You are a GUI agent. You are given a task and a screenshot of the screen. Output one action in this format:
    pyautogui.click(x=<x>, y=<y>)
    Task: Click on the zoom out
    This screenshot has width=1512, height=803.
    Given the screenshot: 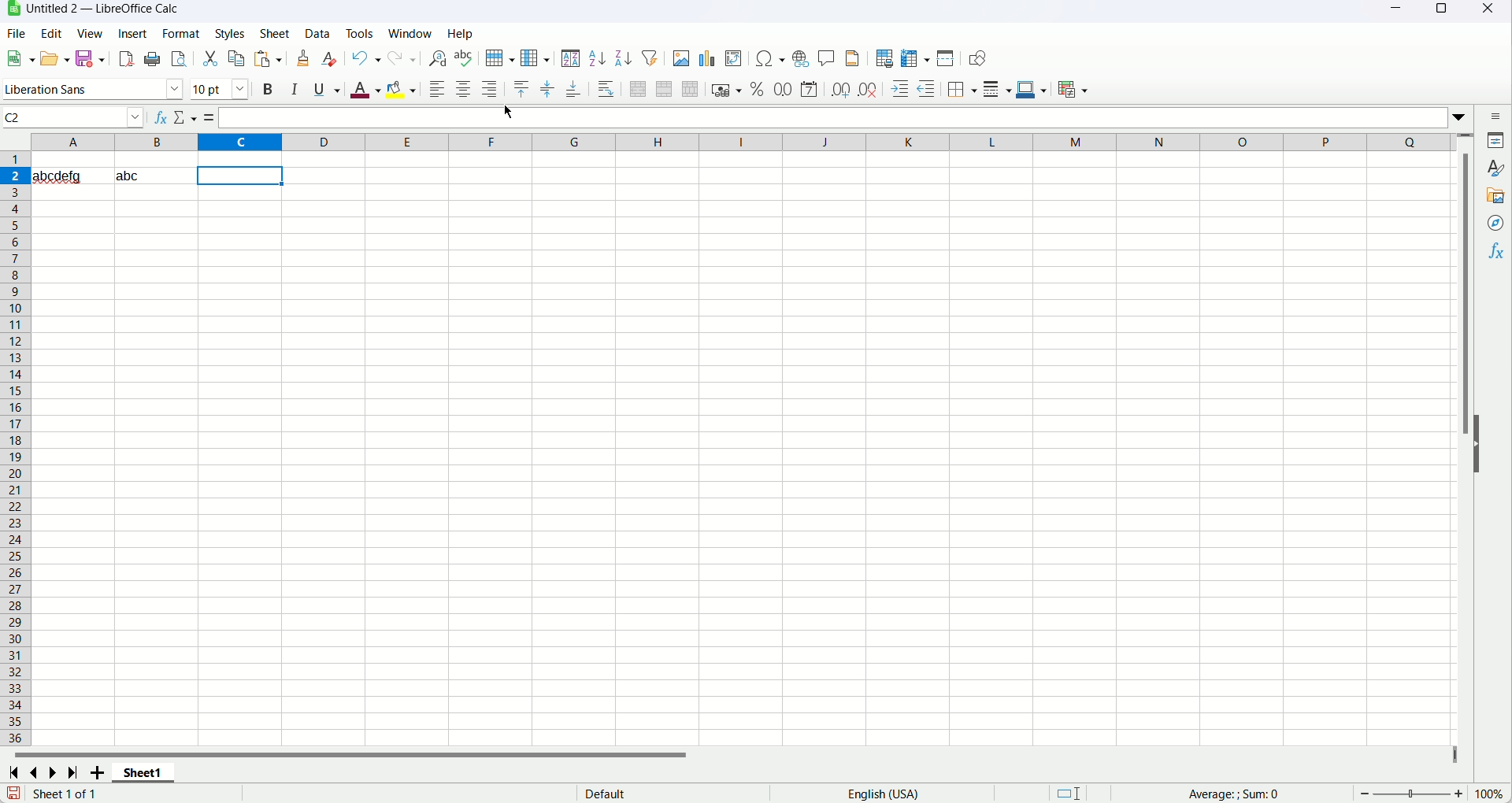 What is the action you would take?
    pyautogui.click(x=1366, y=794)
    